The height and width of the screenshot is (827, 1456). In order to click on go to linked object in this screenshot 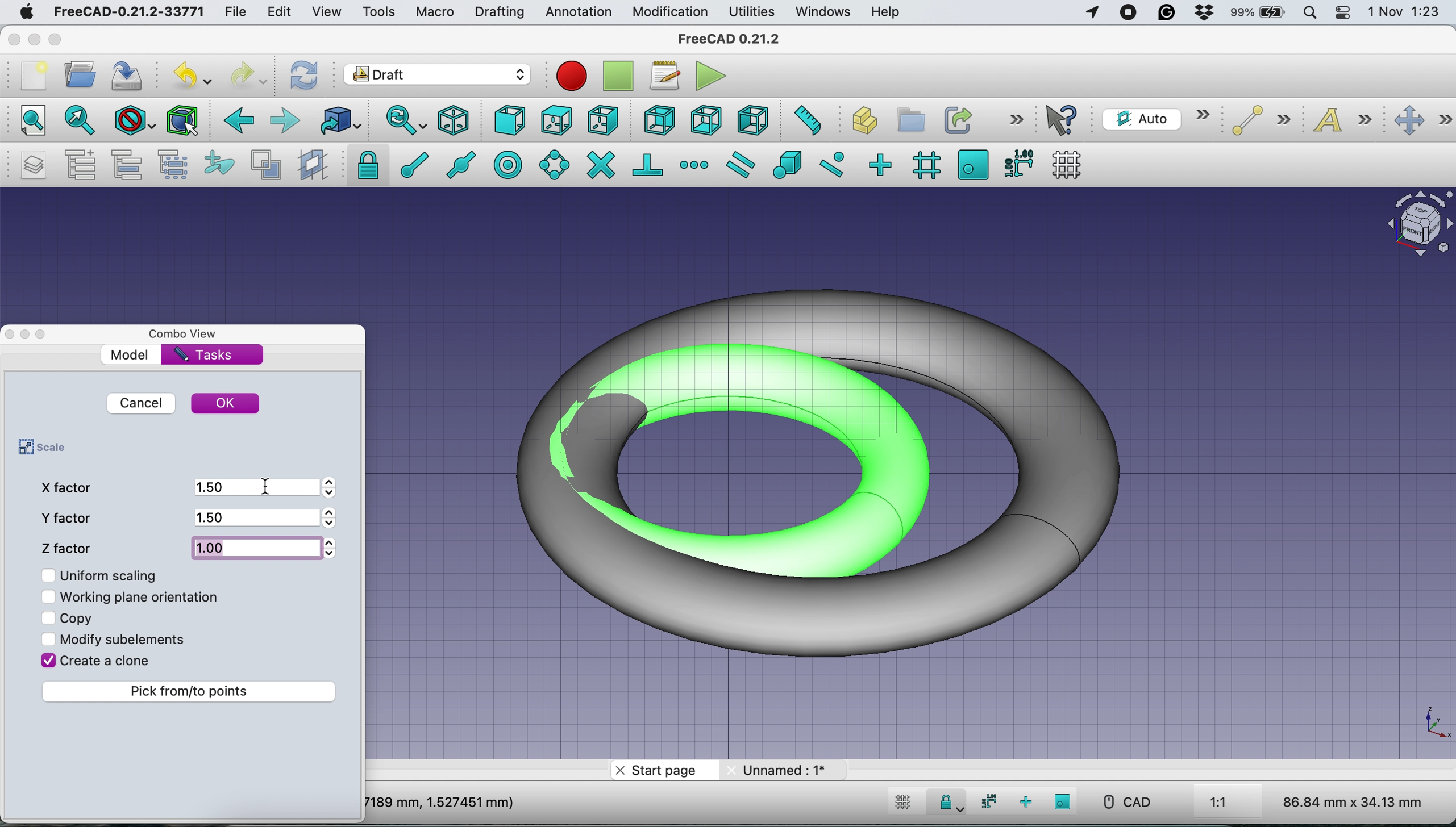, I will do `click(339, 120)`.